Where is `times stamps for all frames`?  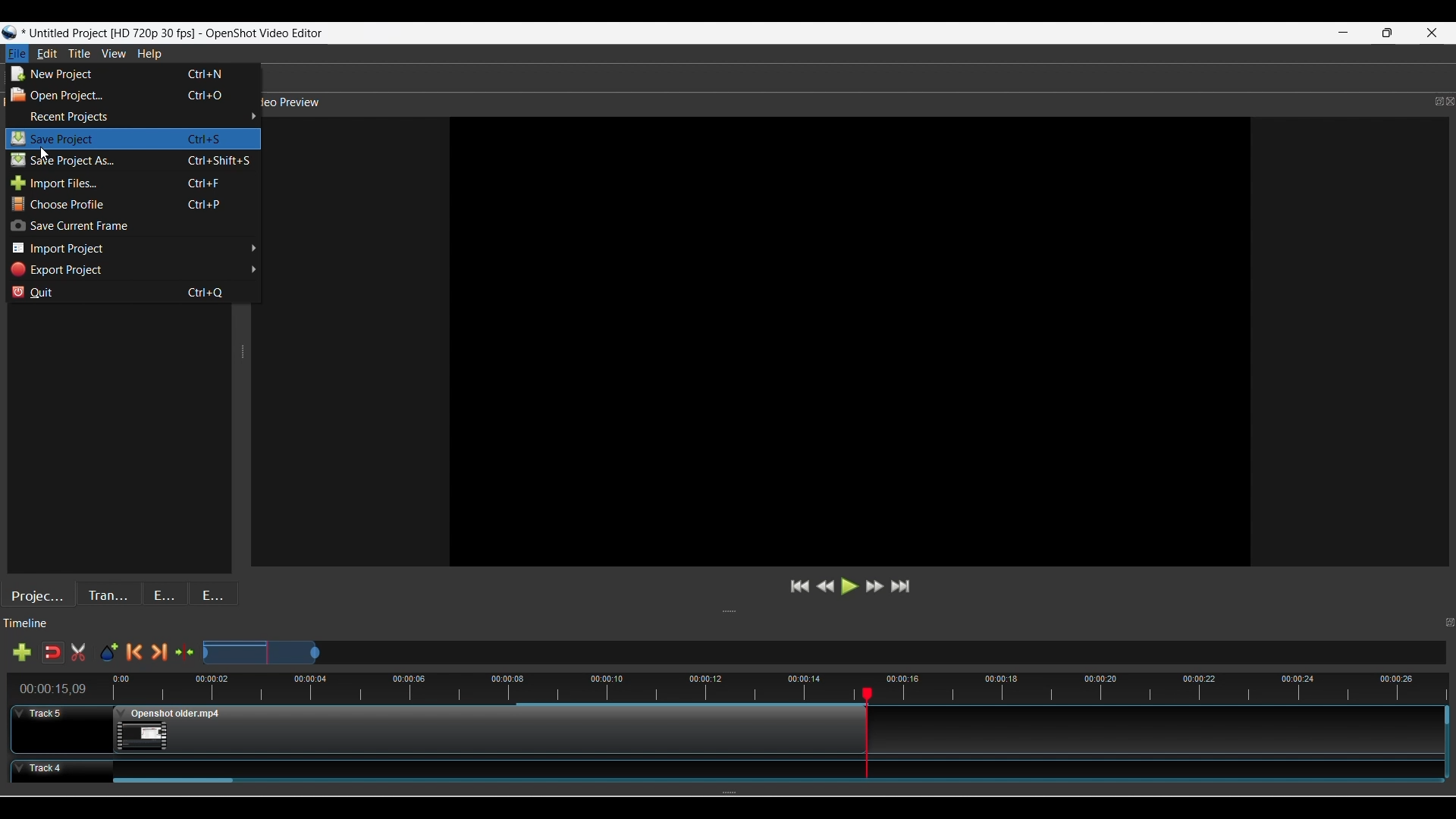
times stamps for all frames is located at coordinates (1163, 687).